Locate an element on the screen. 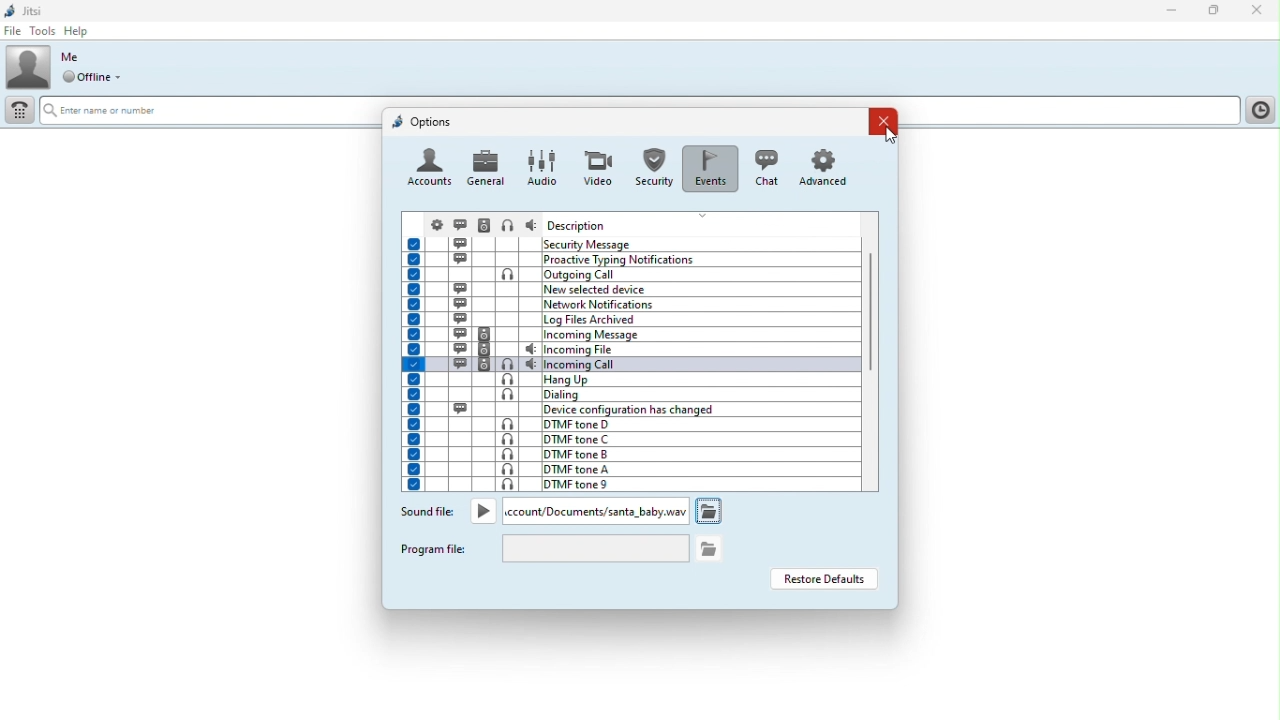  Play button is located at coordinates (484, 511).